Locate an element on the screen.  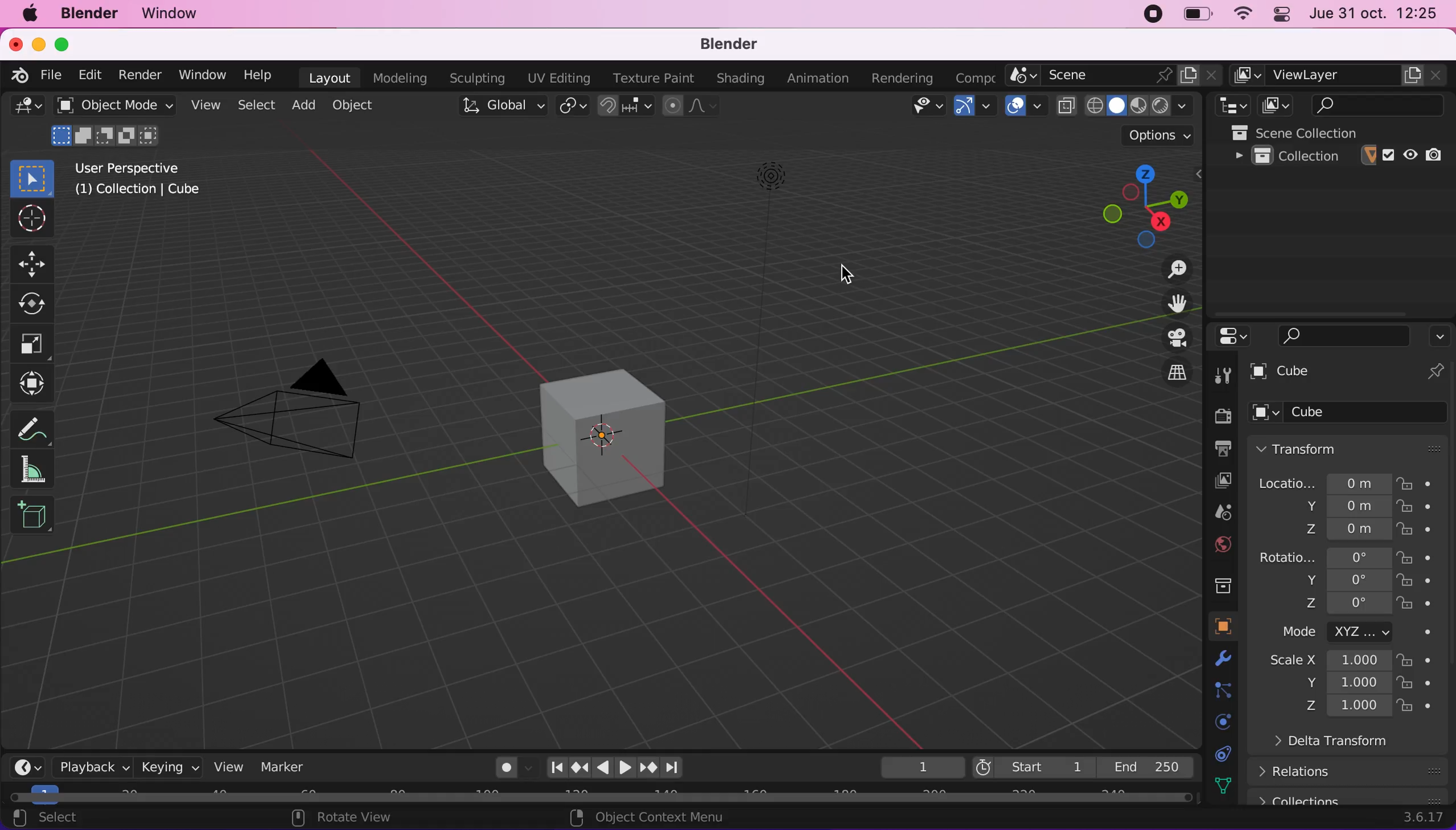
switch the current view is located at coordinates (1164, 374).